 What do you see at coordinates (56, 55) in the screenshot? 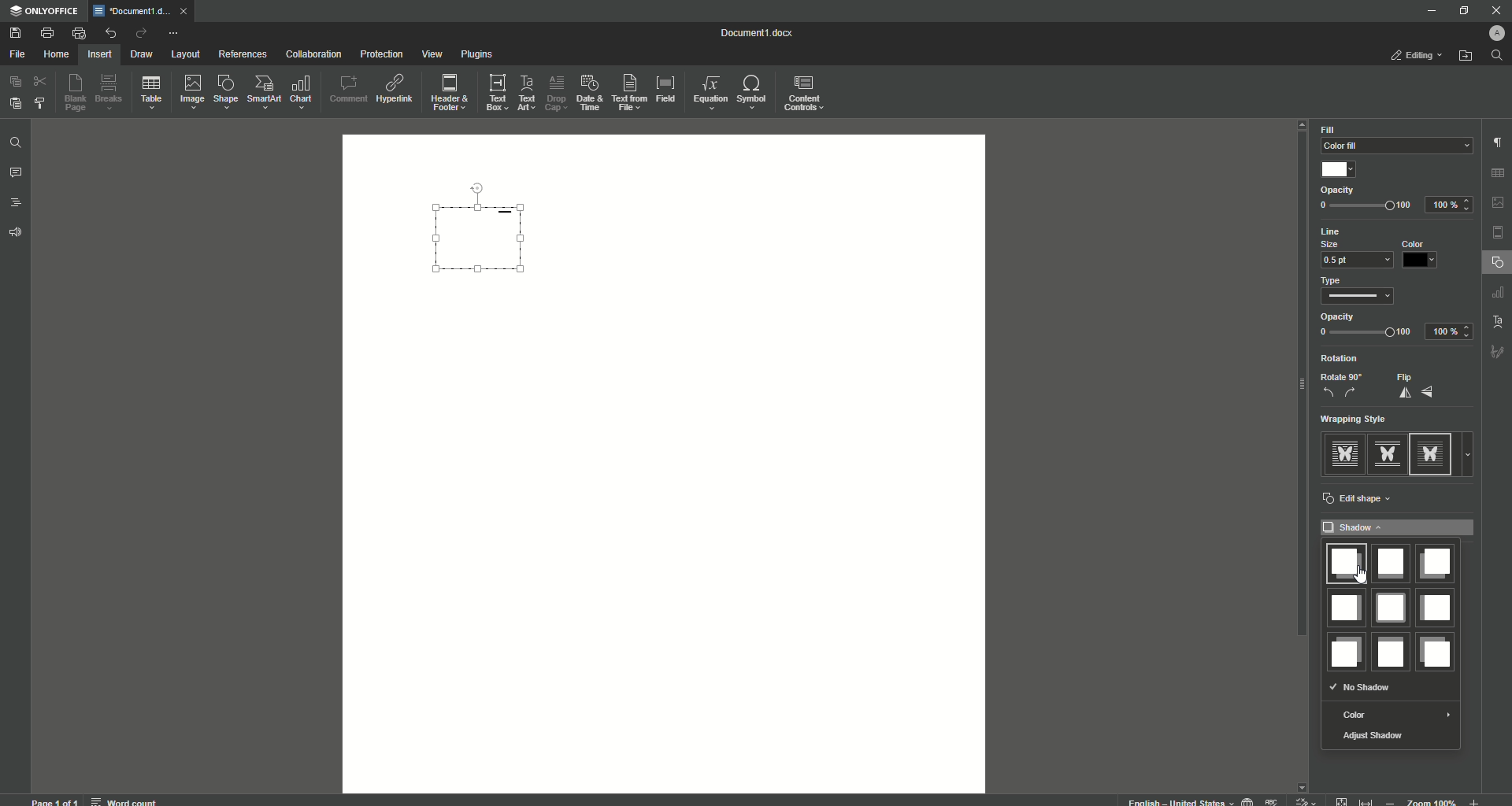
I see `Home` at bounding box center [56, 55].